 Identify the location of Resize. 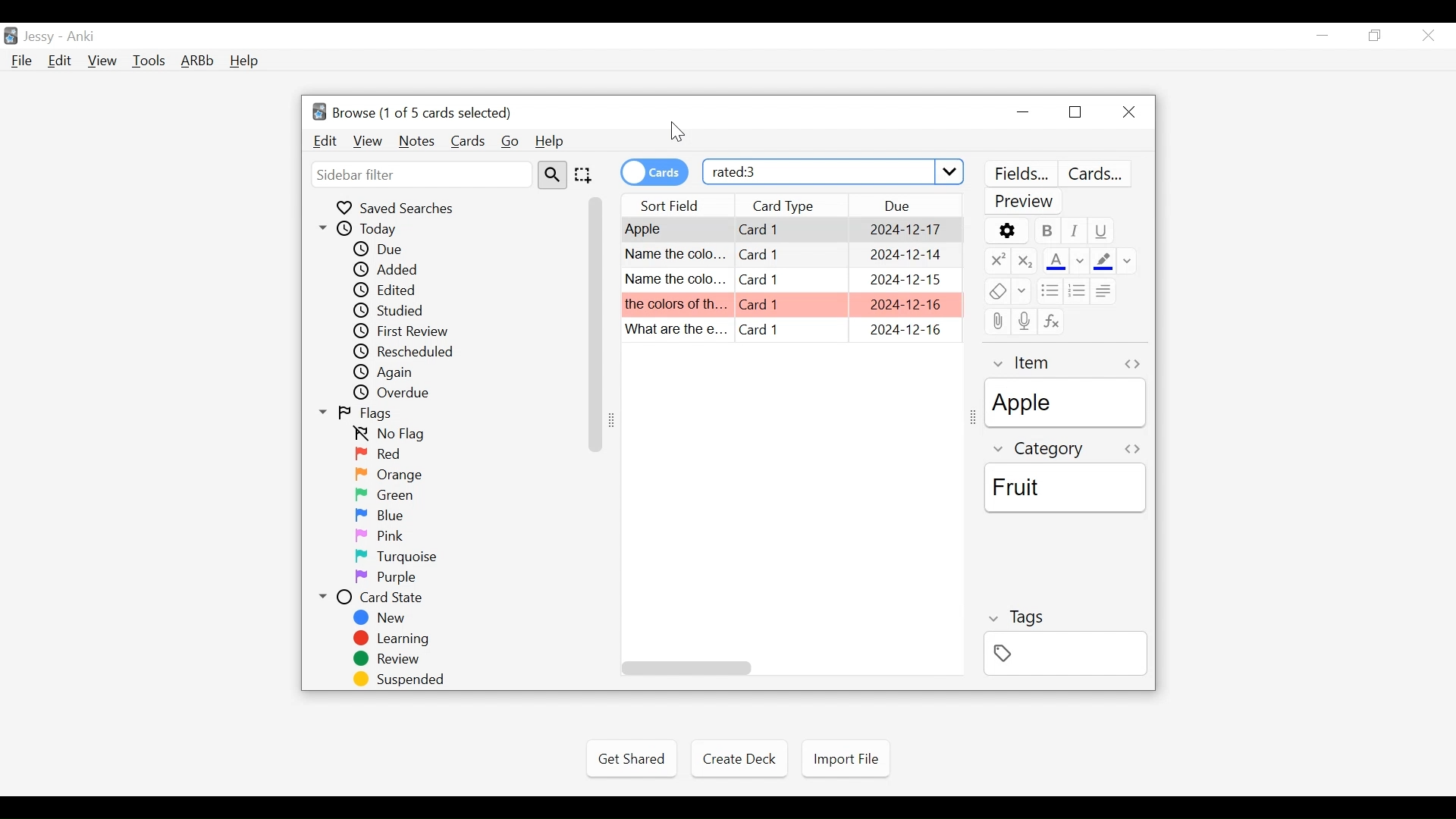
(617, 419).